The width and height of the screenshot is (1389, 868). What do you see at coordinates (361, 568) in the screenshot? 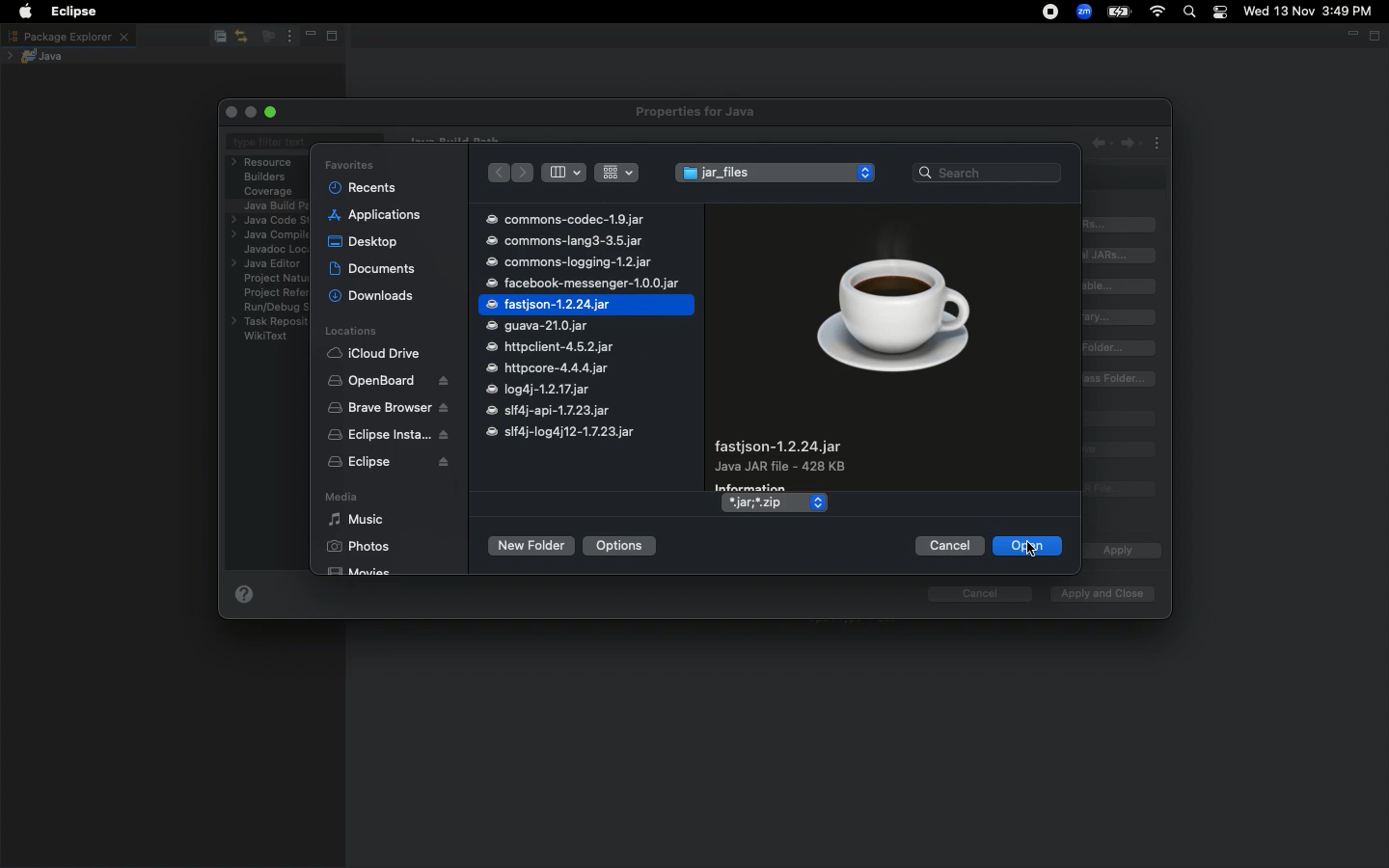
I see `Movies` at bounding box center [361, 568].